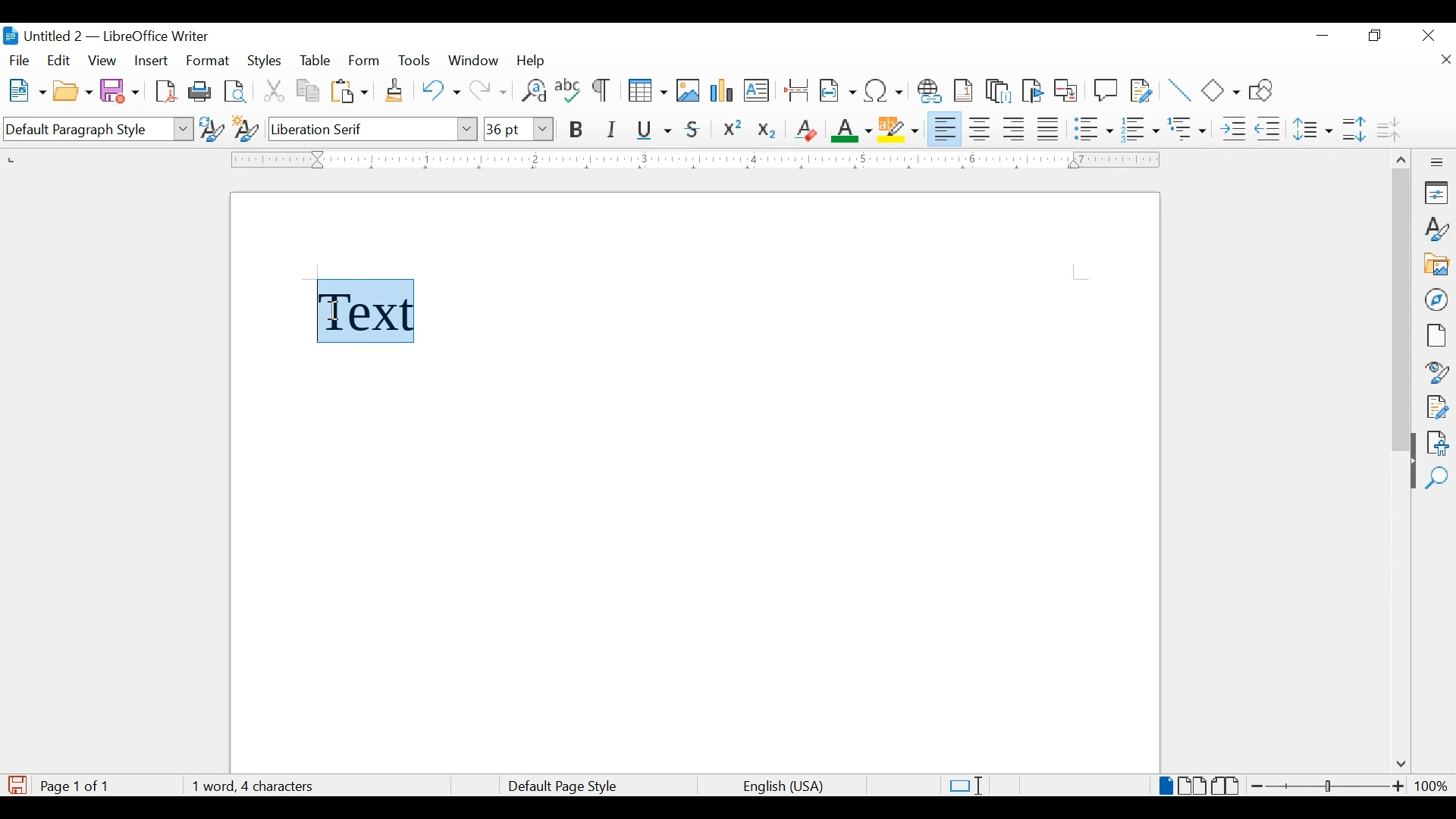 The image size is (1456, 819). What do you see at coordinates (168, 92) in the screenshot?
I see `export directly as pdf` at bounding box center [168, 92].